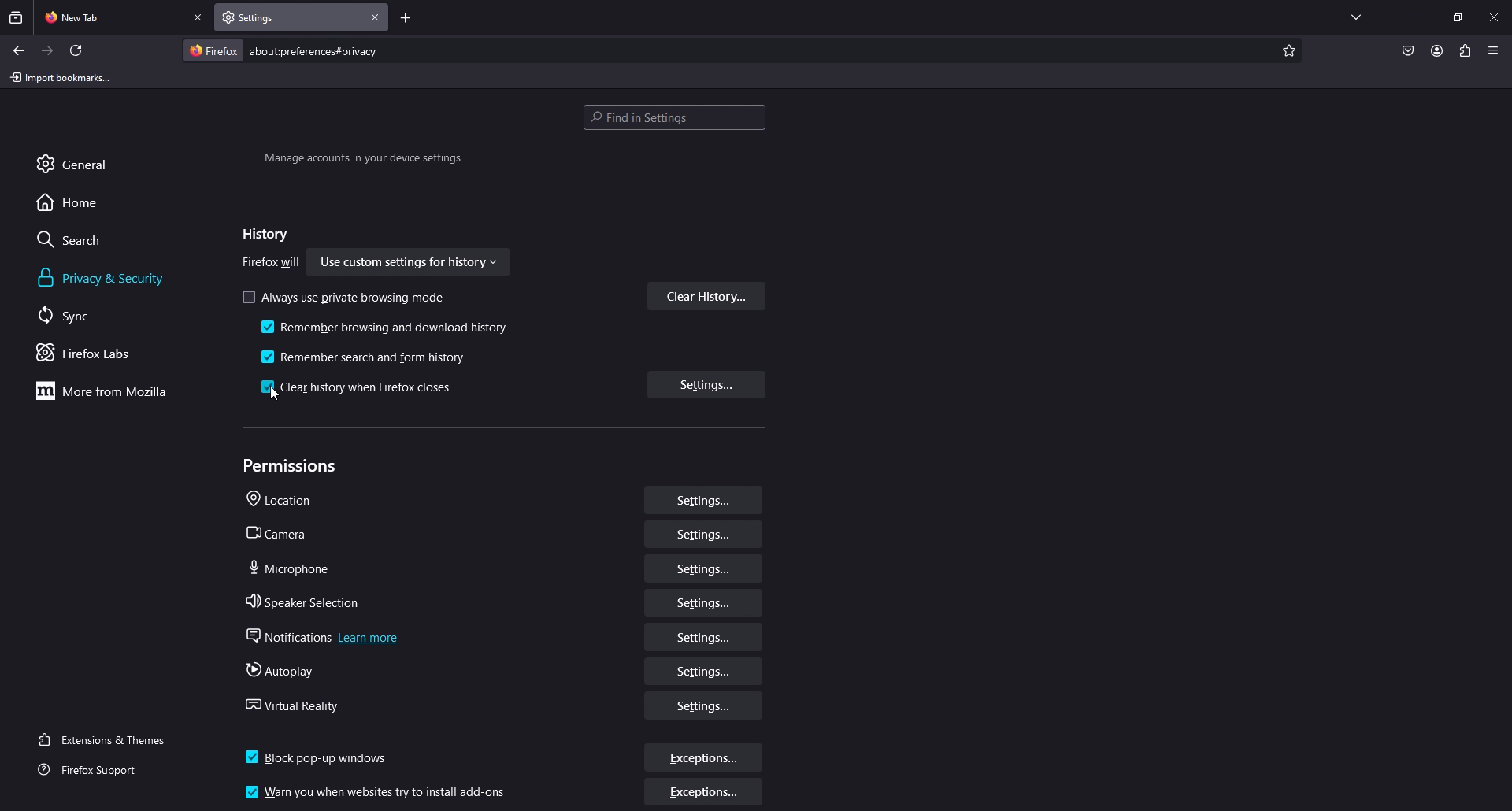  What do you see at coordinates (106, 353) in the screenshot?
I see `firefox labs` at bounding box center [106, 353].